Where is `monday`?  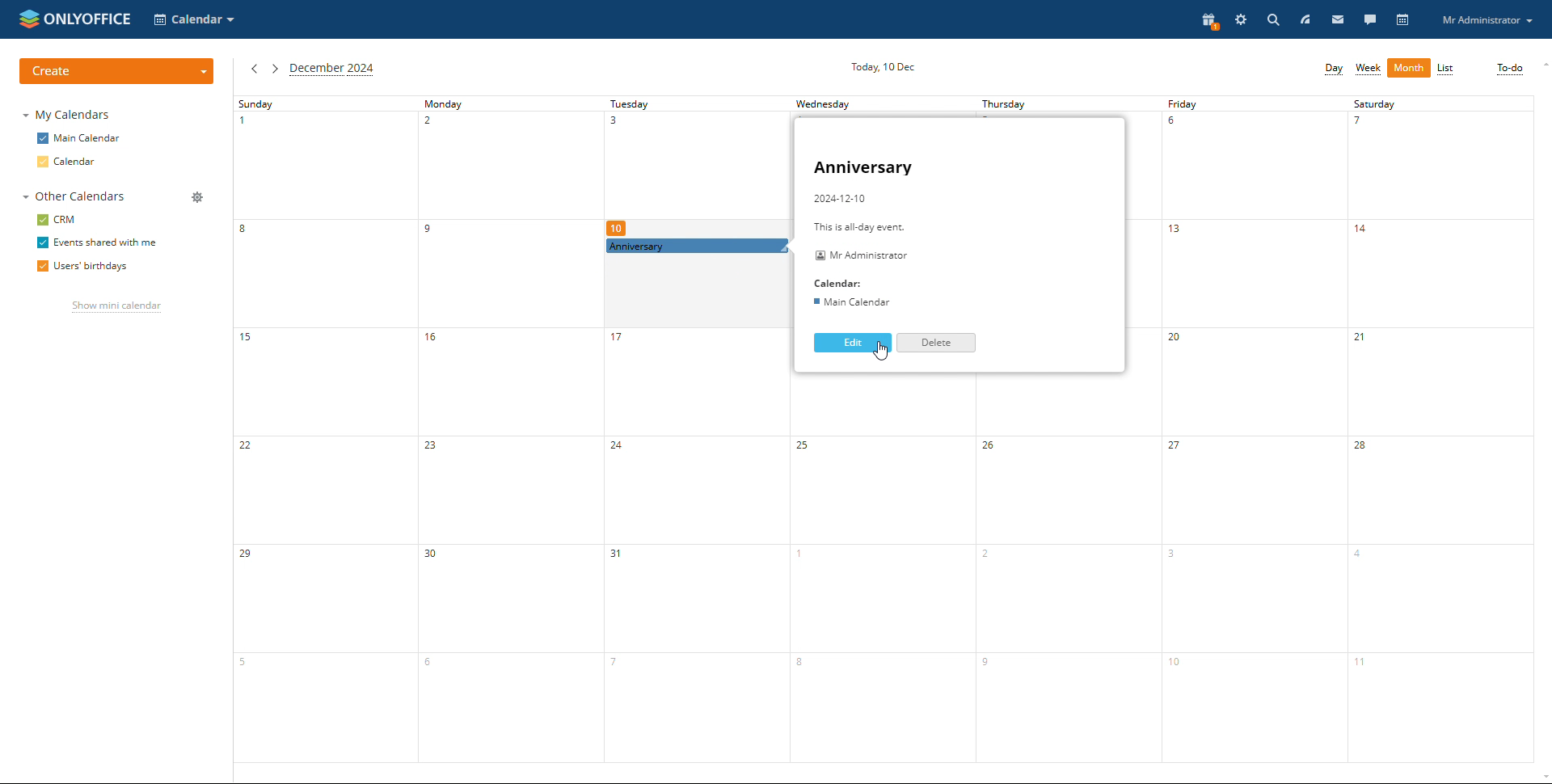
monday is located at coordinates (509, 428).